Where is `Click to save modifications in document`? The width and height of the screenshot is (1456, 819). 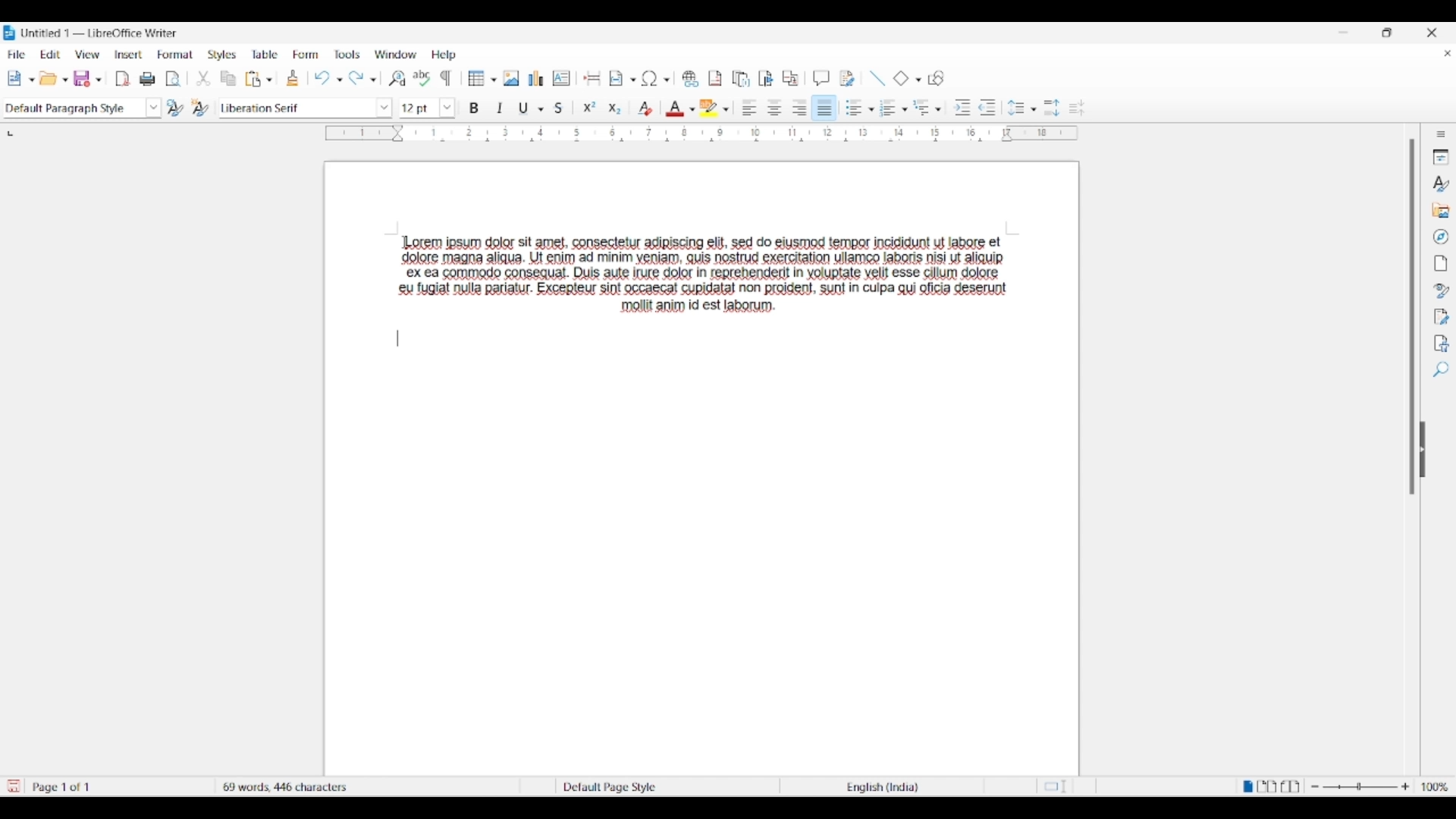 Click to save modifications in document is located at coordinates (12, 786).